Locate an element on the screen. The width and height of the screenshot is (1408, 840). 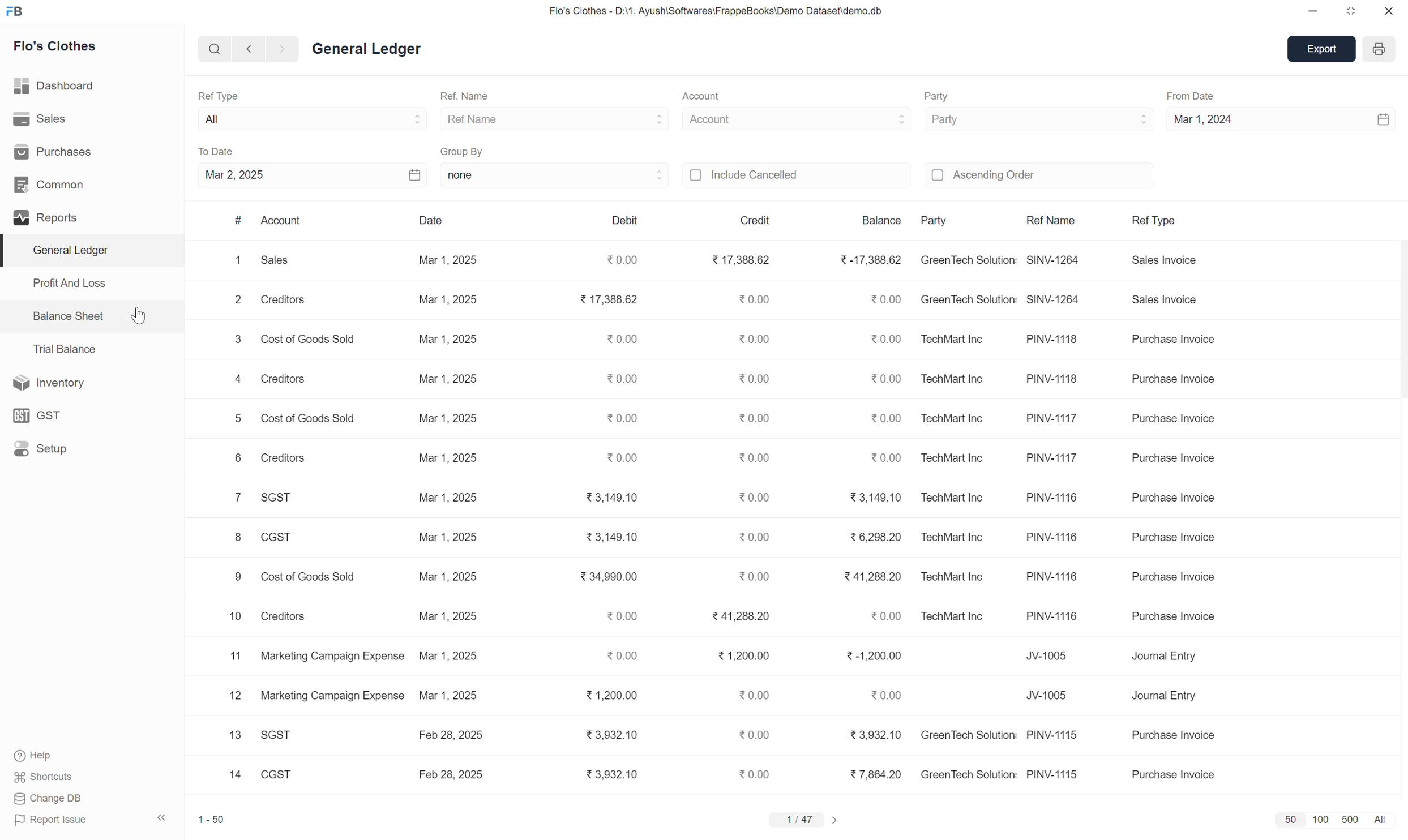
Green Tech solution is located at coordinates (970, 738).